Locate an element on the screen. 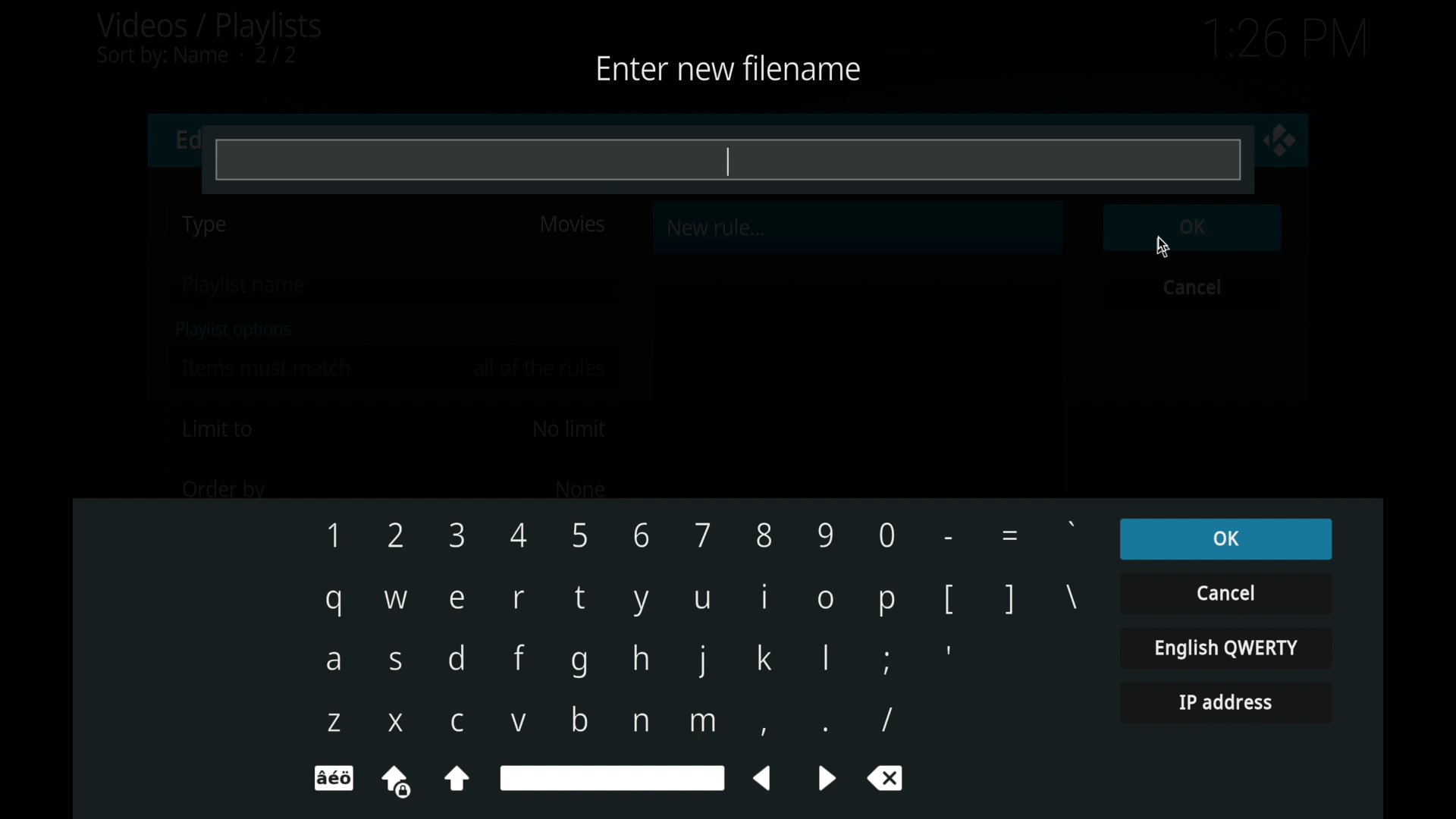 The image size is (1456, 819). no limit is located at coordinates (569, 429).